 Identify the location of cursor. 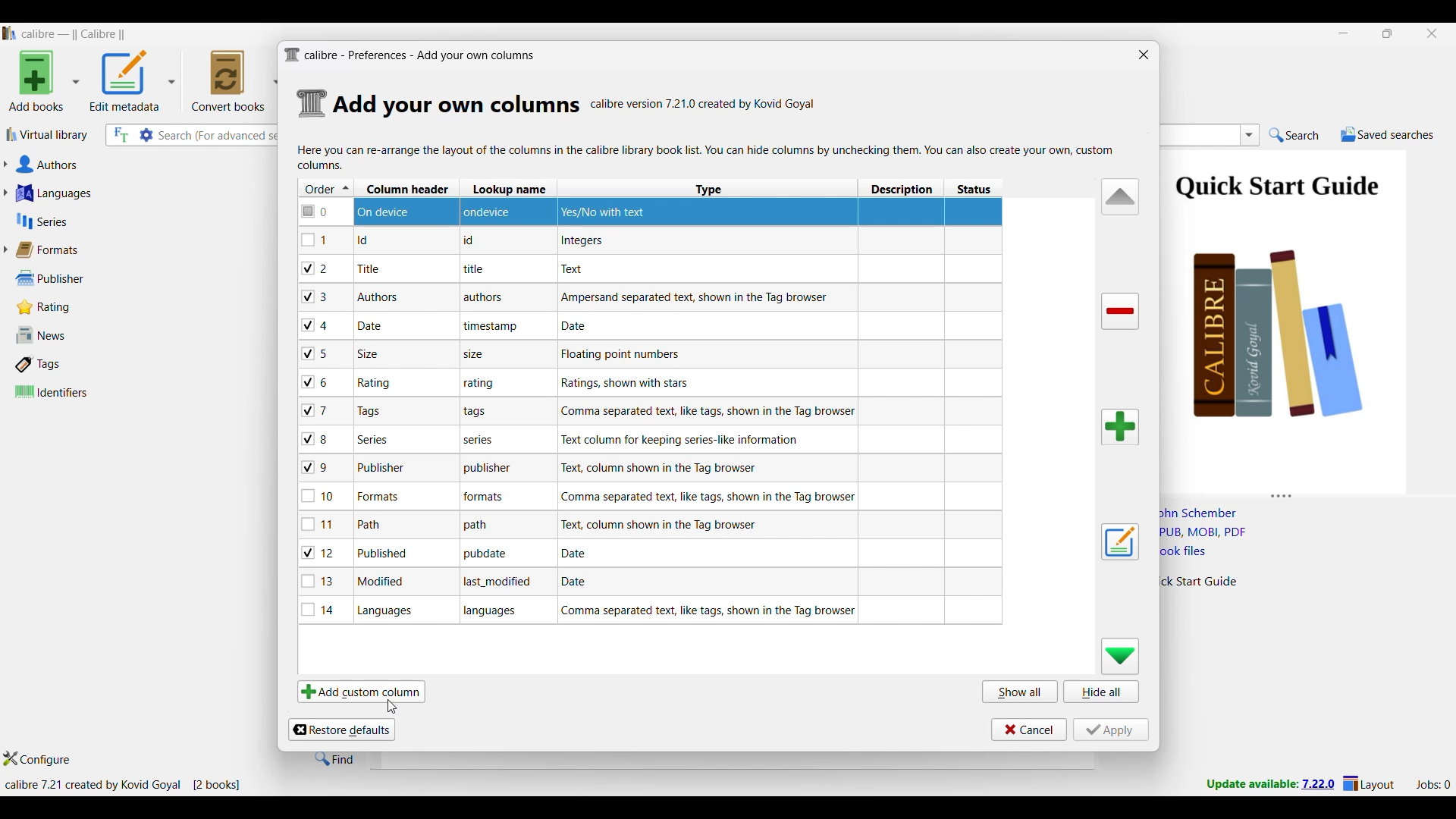
(394, 706).